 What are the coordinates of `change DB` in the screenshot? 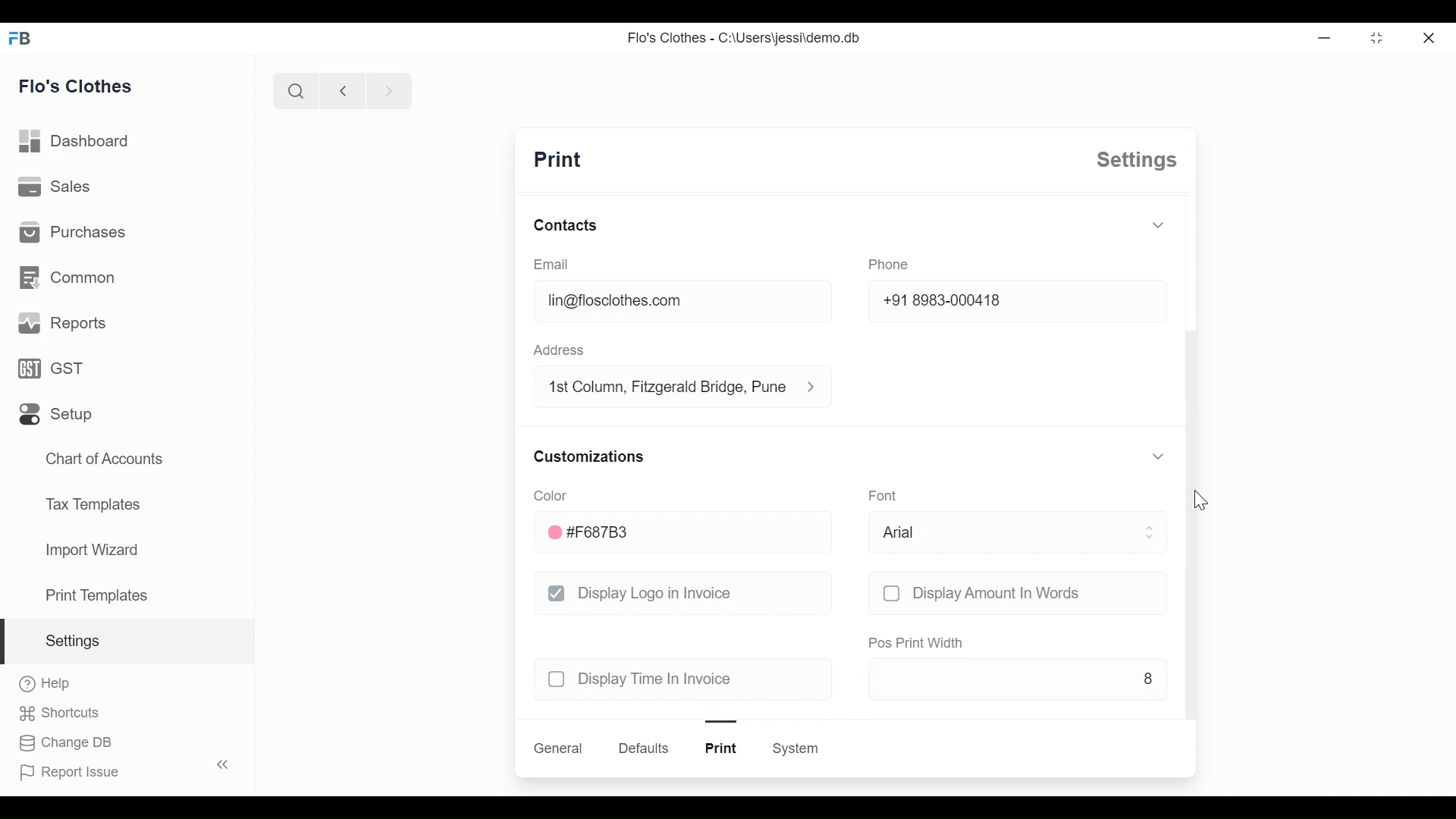 It's located at (64, 743).